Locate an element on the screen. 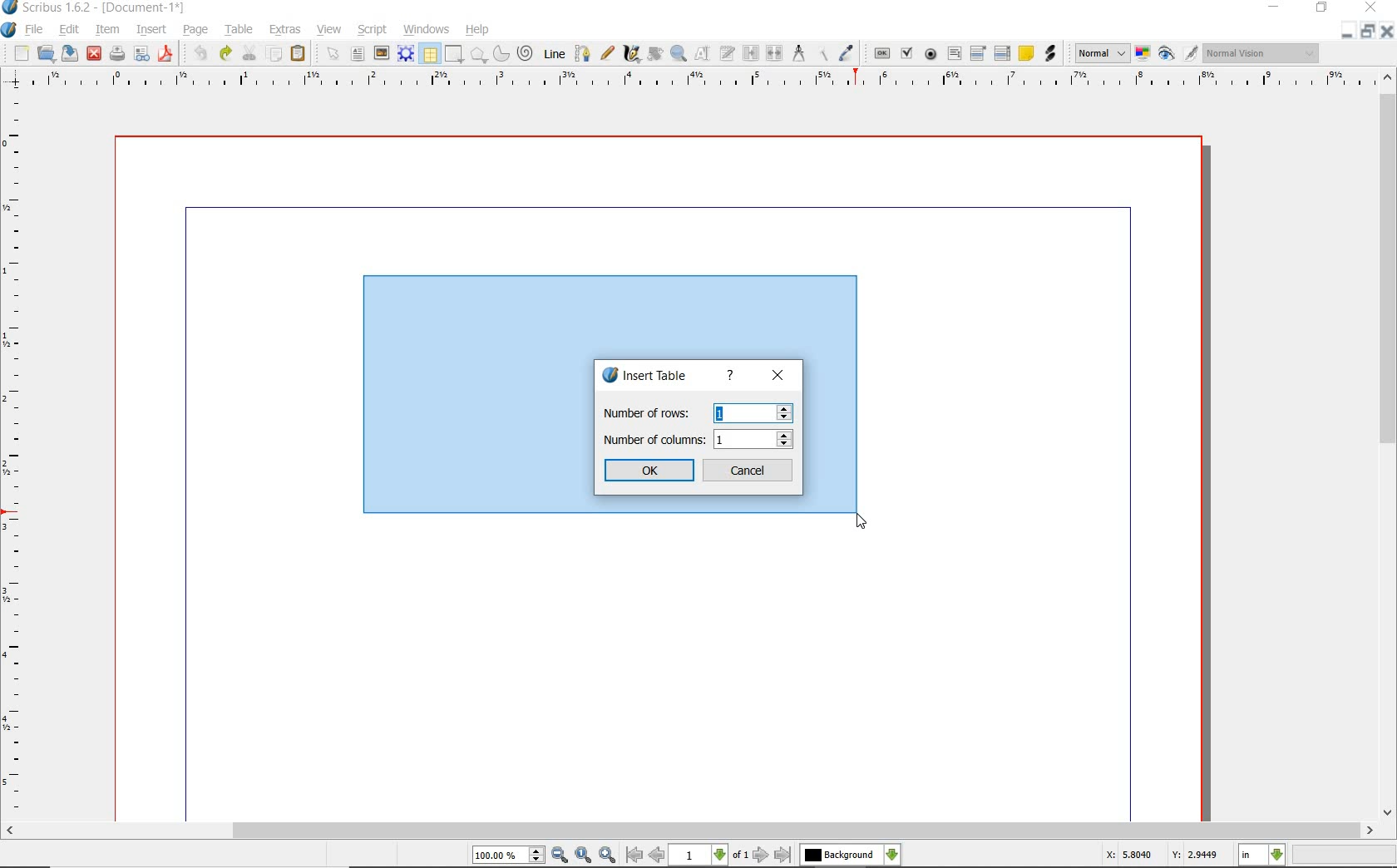  save is located at coordinates (71, 52).